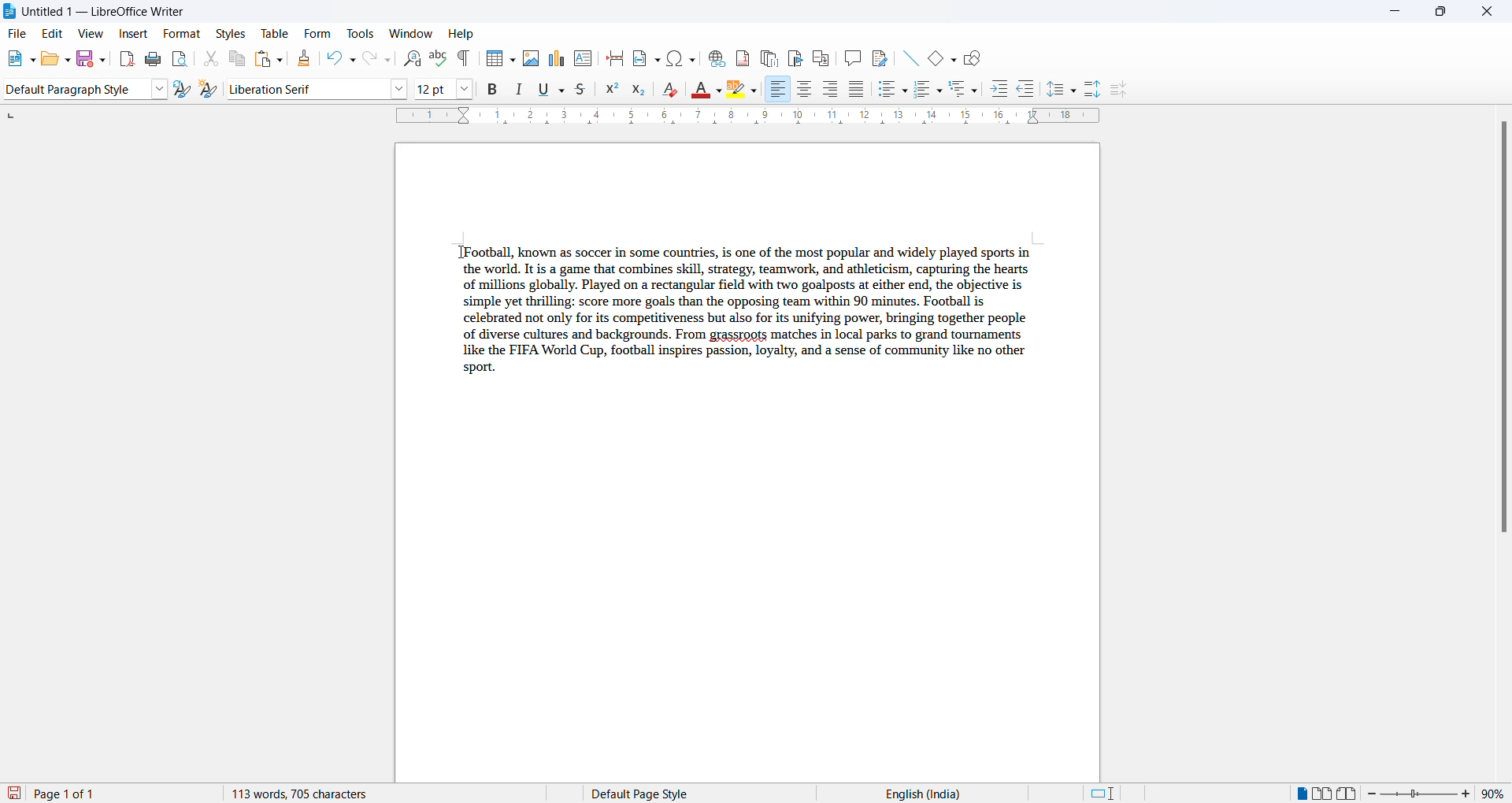  I want to click on zoom slider, so click(1421, 794).